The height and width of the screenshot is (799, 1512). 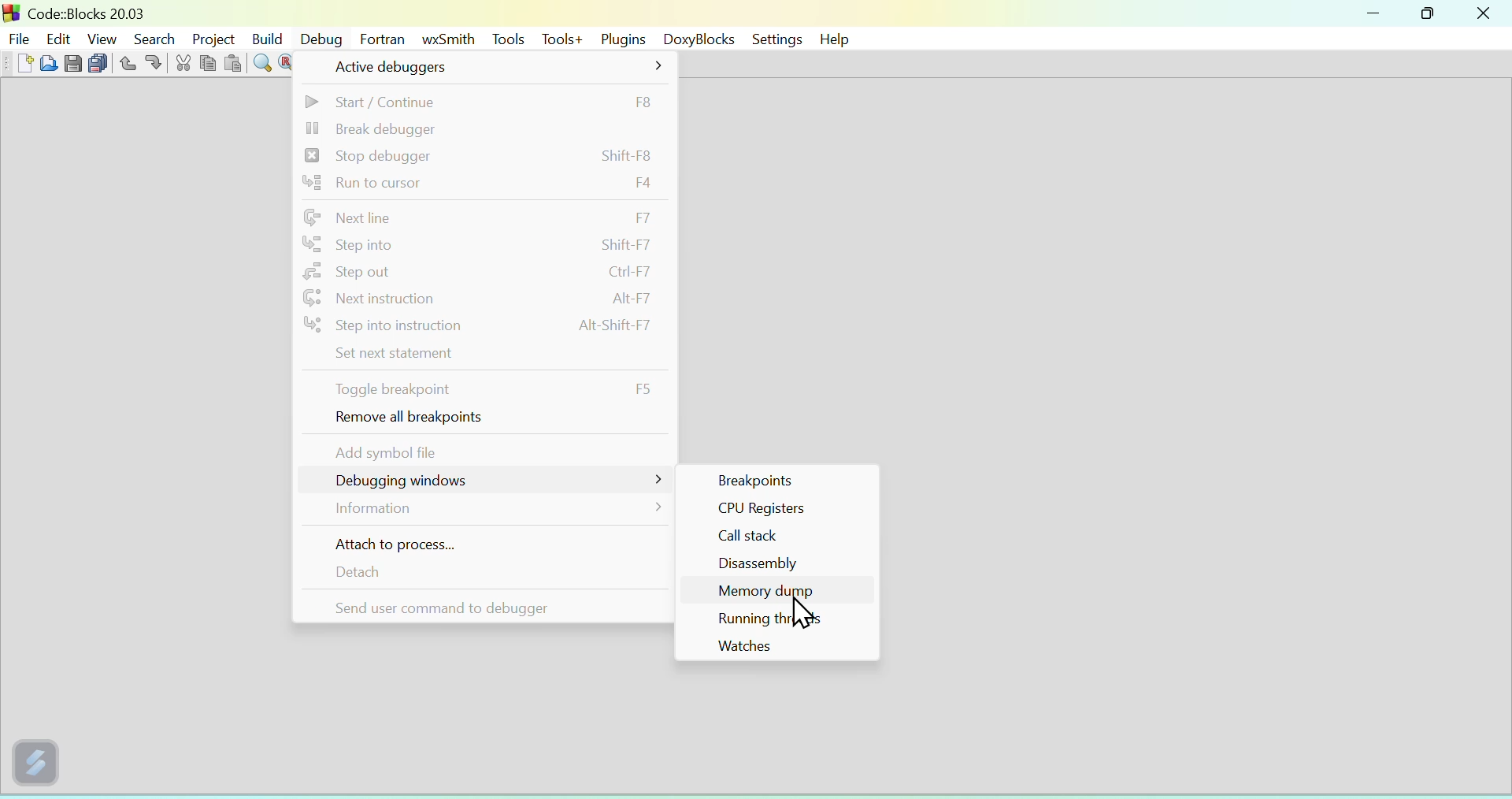 What do you see at coordinates (480, 128) in the screenshot?
I see `break debugger` at bounding box center [480, 128].